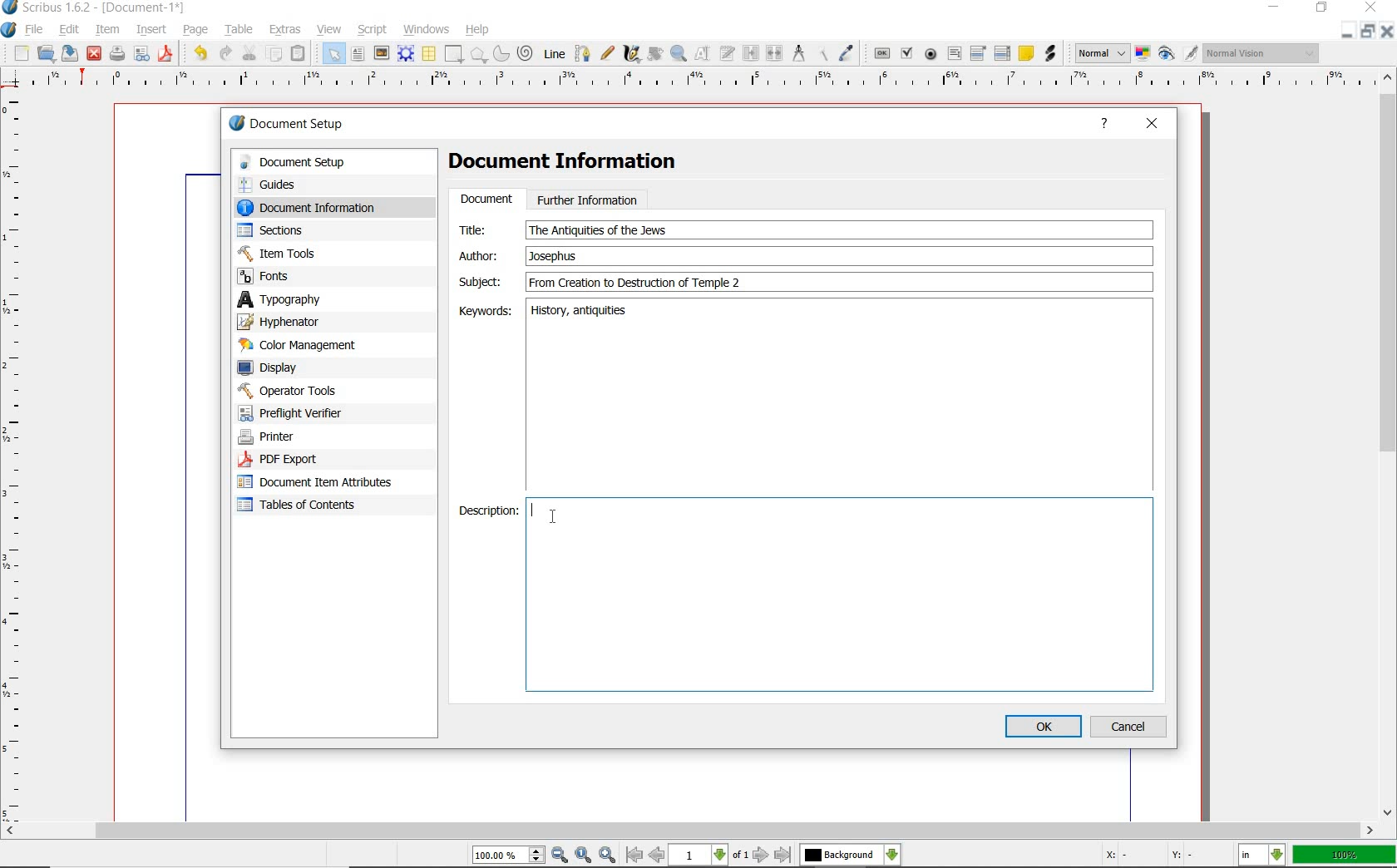  What do you see at coordinates (979, 54) in the screenshot?
I see `pdf combo box` at bounding box center [979, 54].